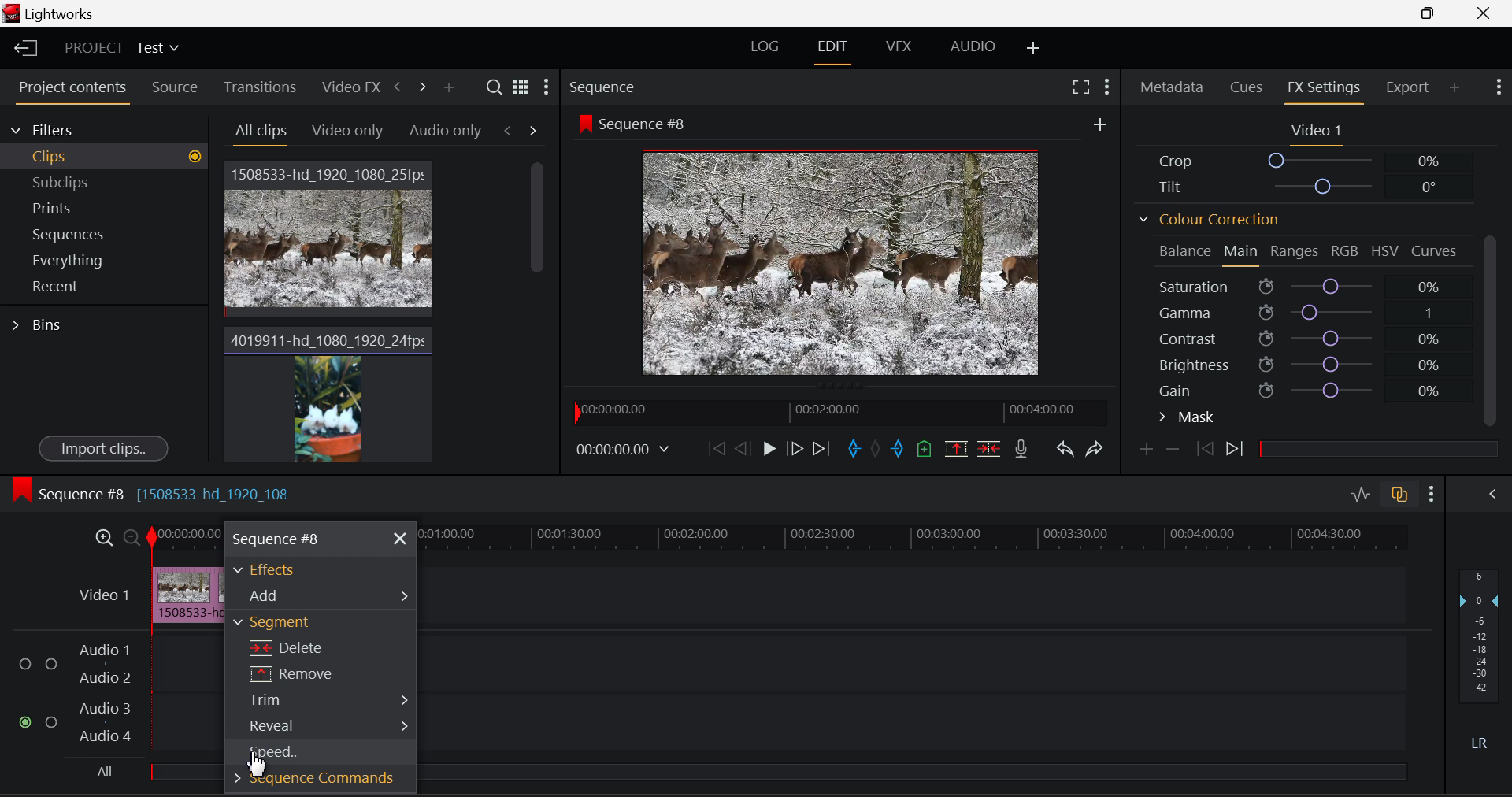  I want to click on Remove marked section, so click(955, 447).